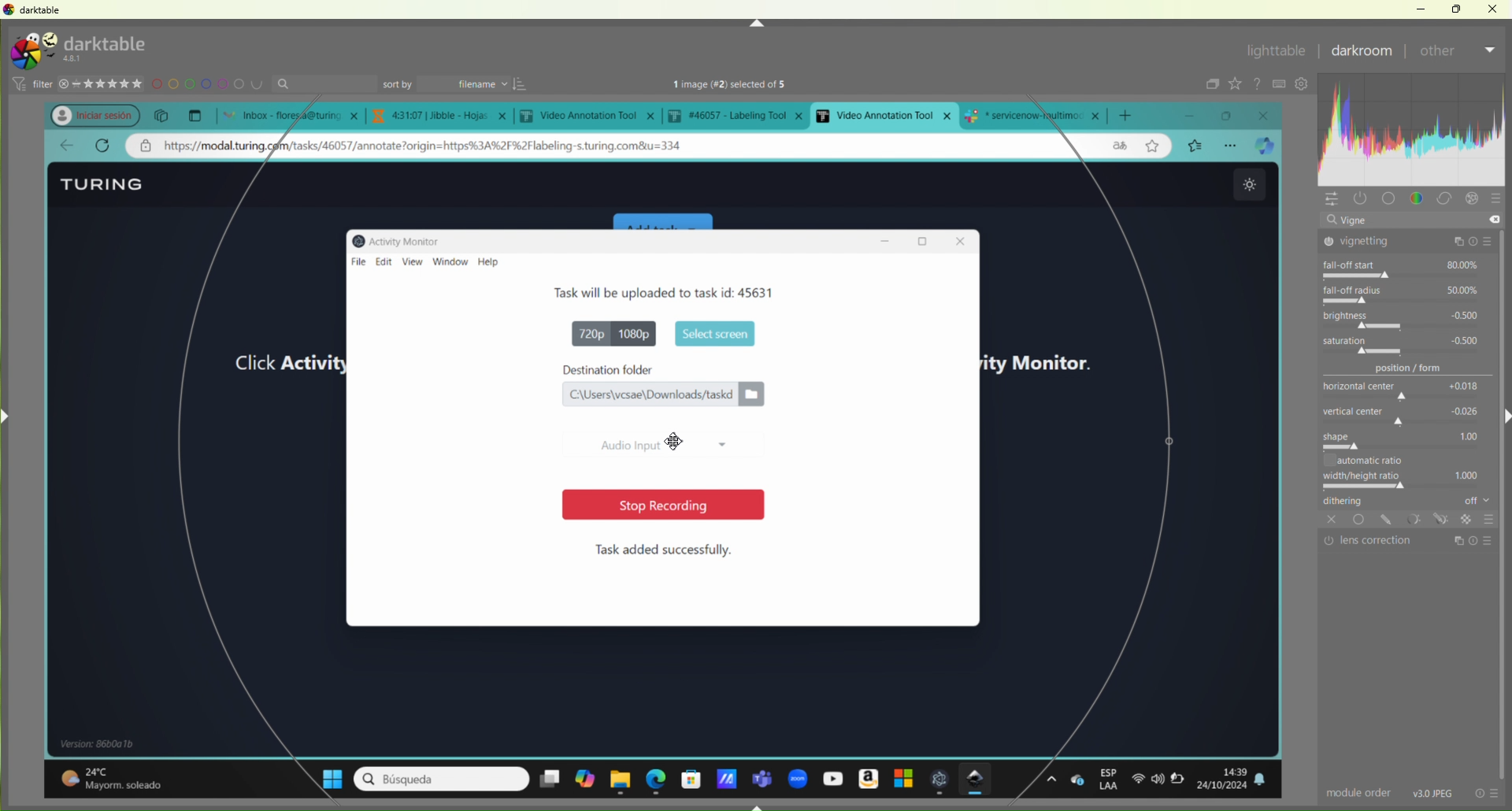 Image resolution: width=1512 pixels, height=811 pixels. What do you see at coordinates (402, 239) in the screenshot?
I see `Activity monitor` at bounding box center [402, 239].